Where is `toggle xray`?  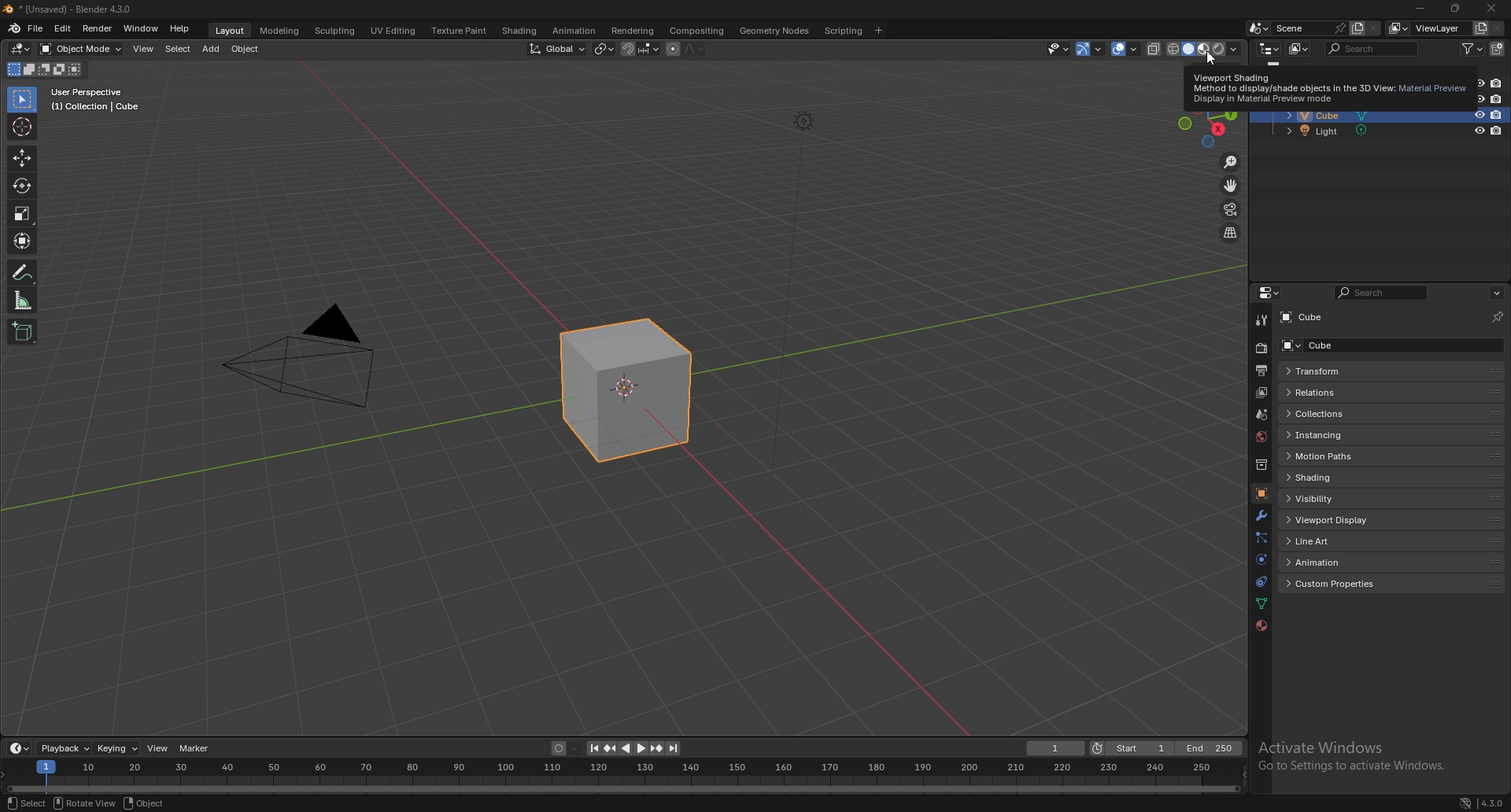
toggle xray is located at coordinates (1155, 49).